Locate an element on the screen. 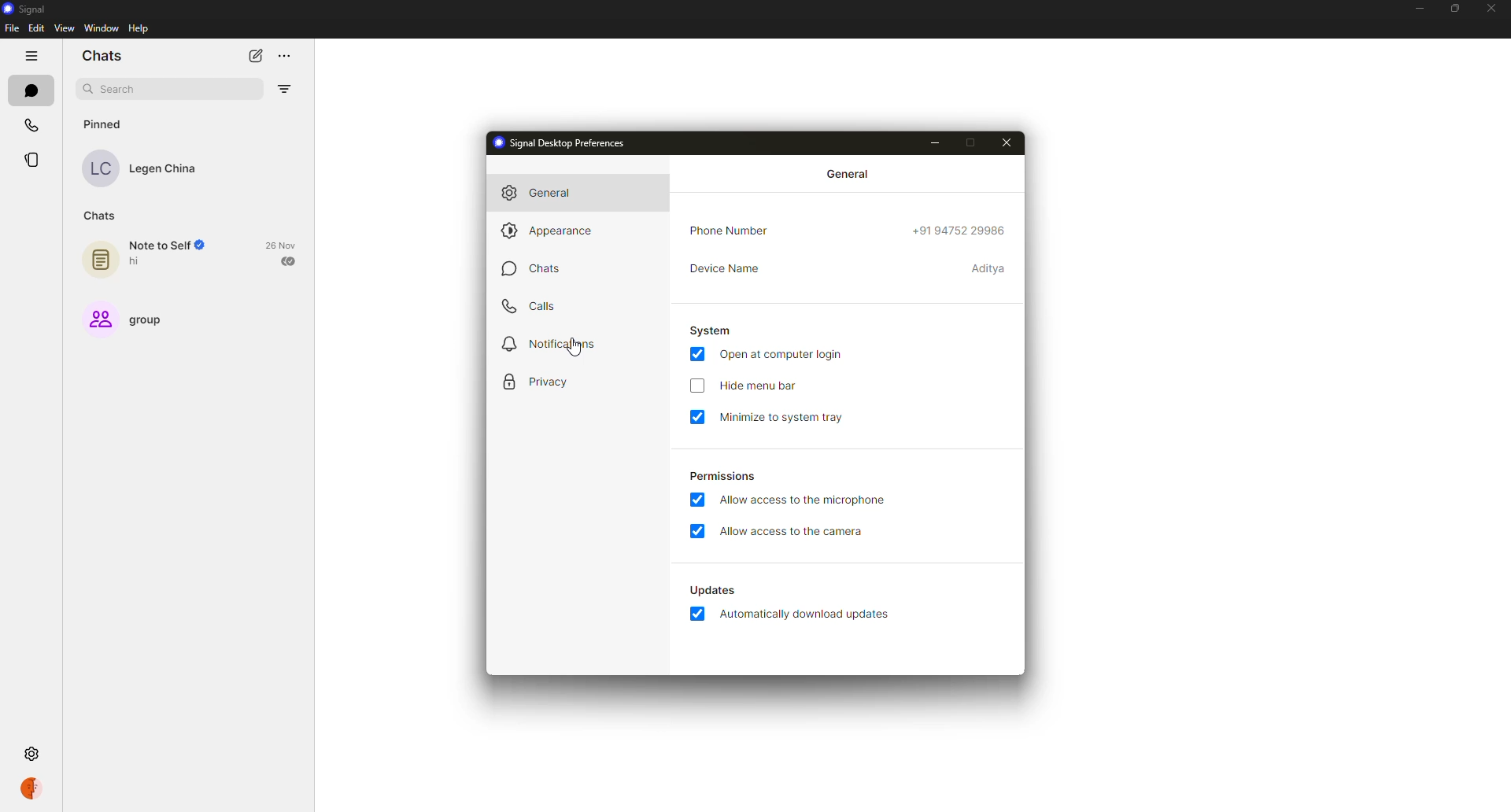 This screenshot has height=812, width=1511. notifications is located at coordinates (549, 345).